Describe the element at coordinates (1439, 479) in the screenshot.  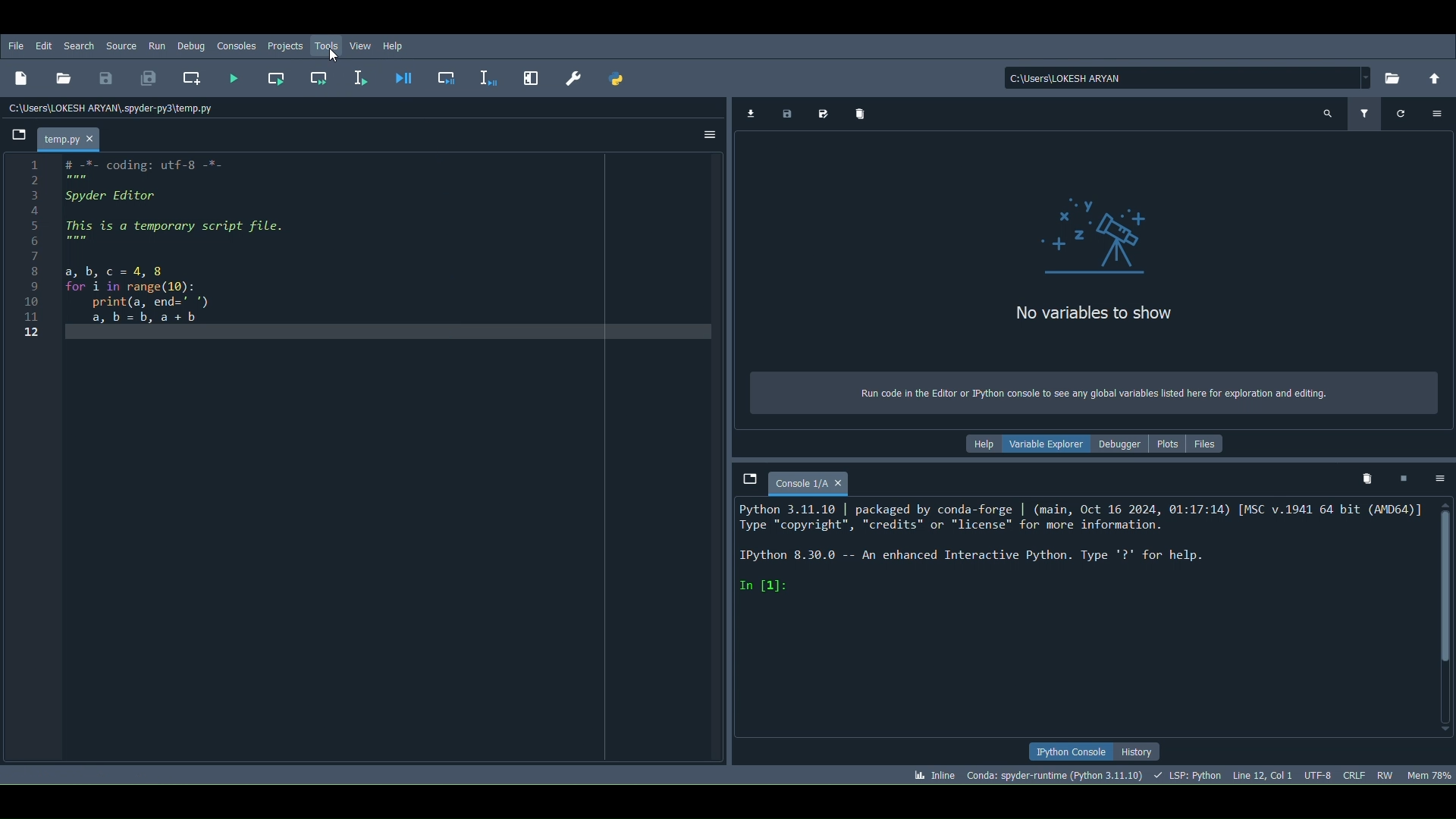
I see `Options` at that location.